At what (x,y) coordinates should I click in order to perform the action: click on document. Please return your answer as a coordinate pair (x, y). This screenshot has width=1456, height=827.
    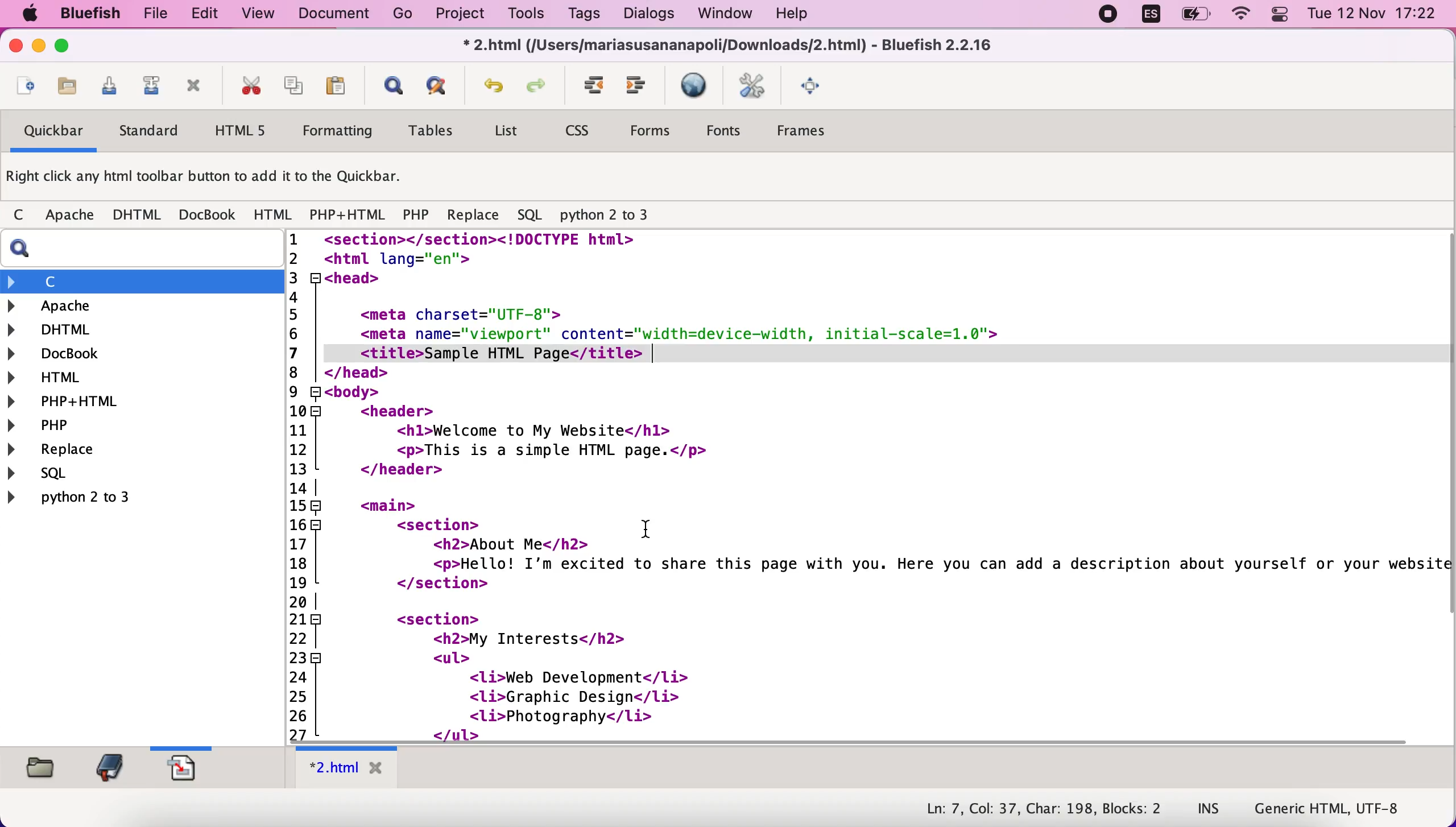
    Looking at the image, I should click on (335, 15).